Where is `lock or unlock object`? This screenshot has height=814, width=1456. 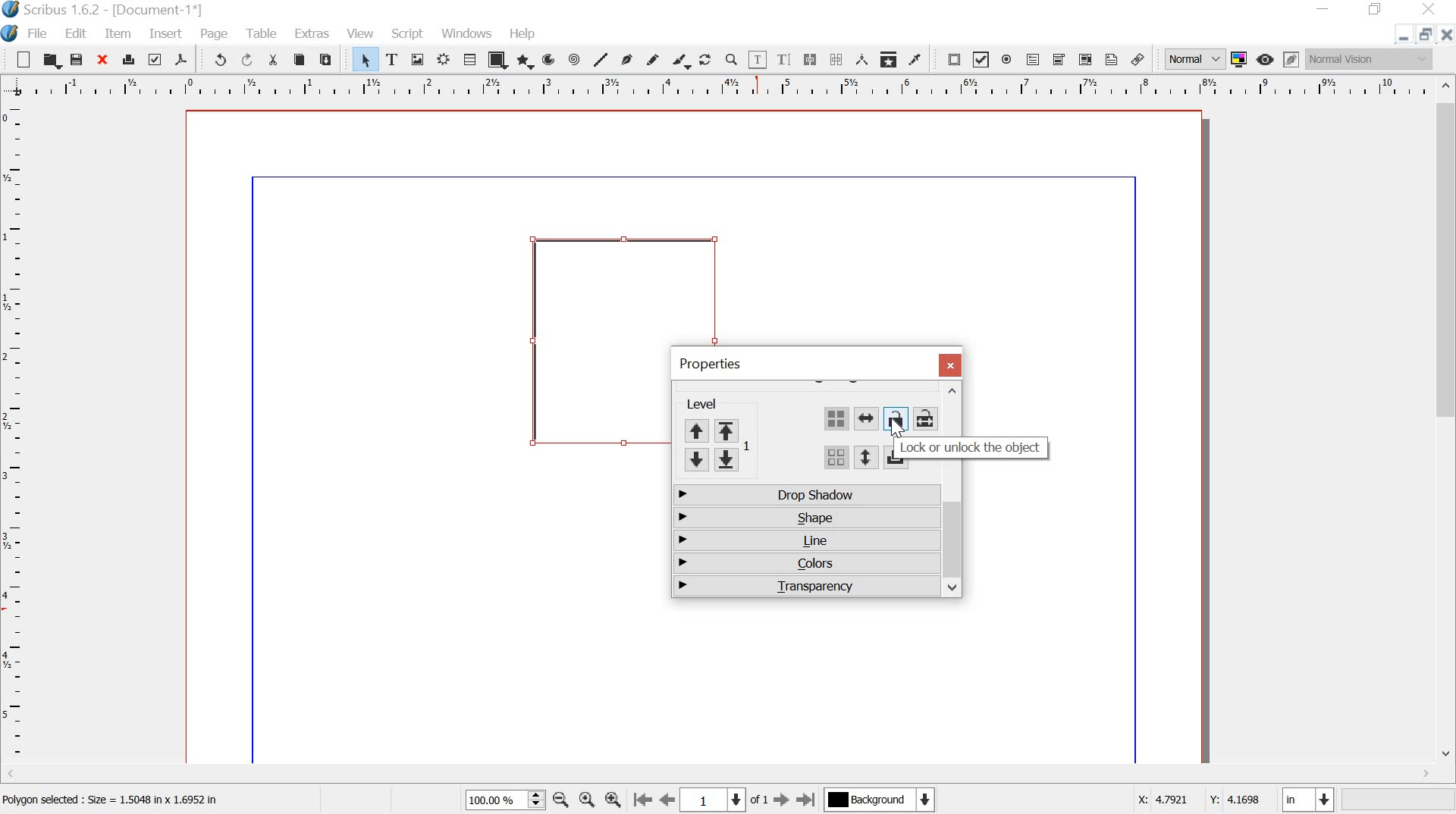 lock or unlock object is located at coordinates (895, 419).